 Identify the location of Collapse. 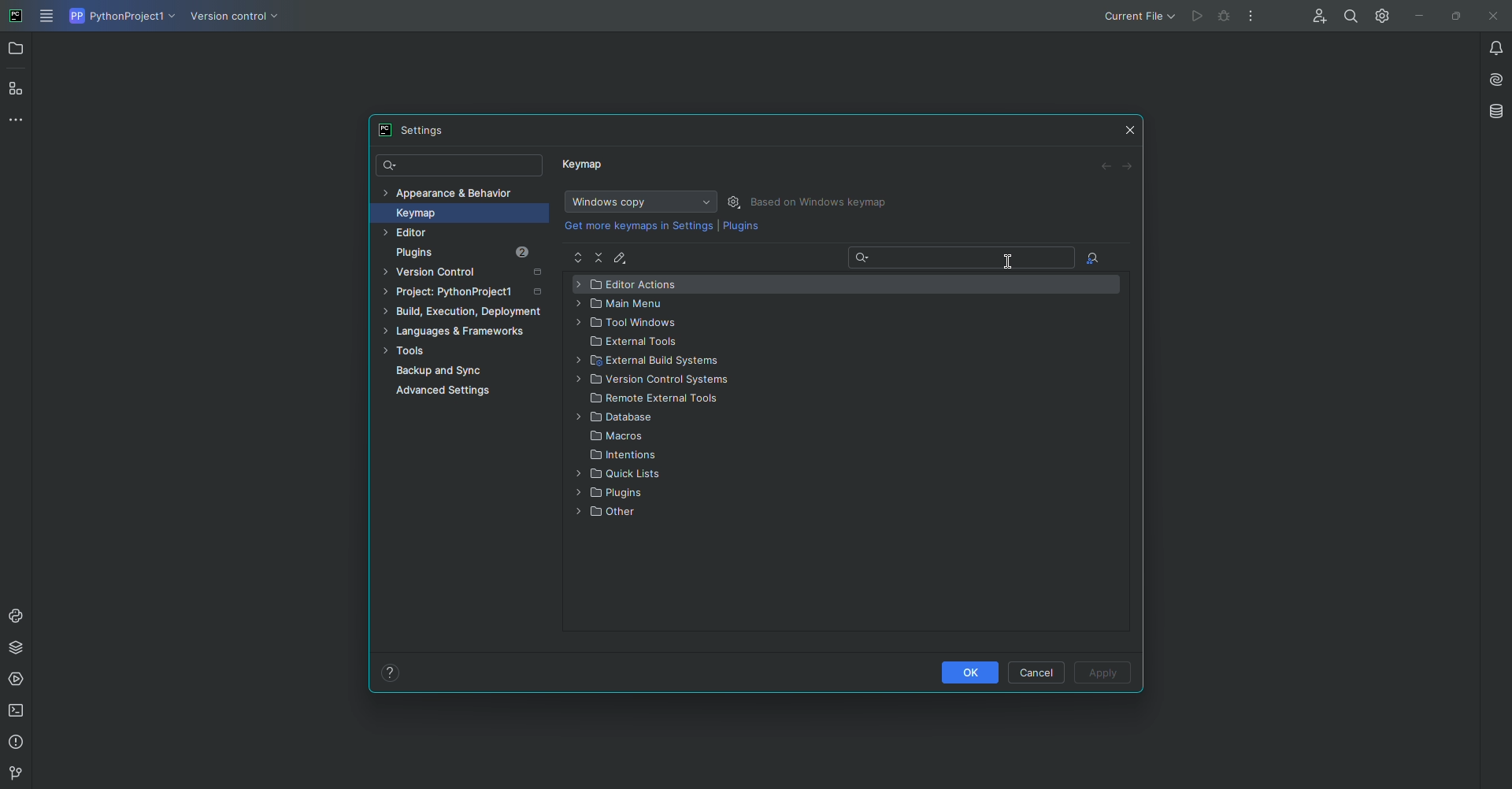
(600, 257).